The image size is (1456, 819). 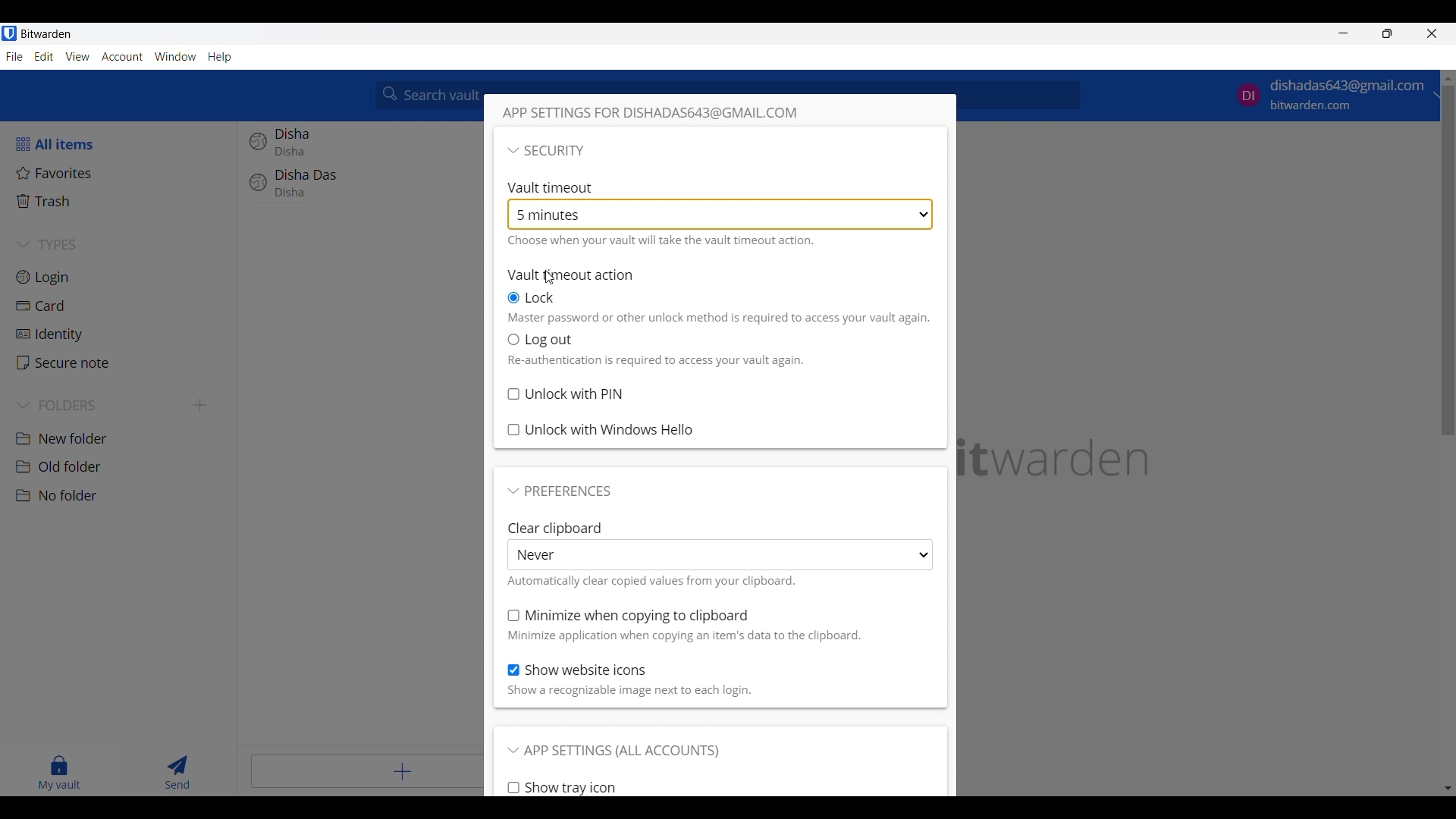 What do you see at coordinates (1344, 33) in the screenshot?
I see `Minimize` at bounding box center [1344, 33].